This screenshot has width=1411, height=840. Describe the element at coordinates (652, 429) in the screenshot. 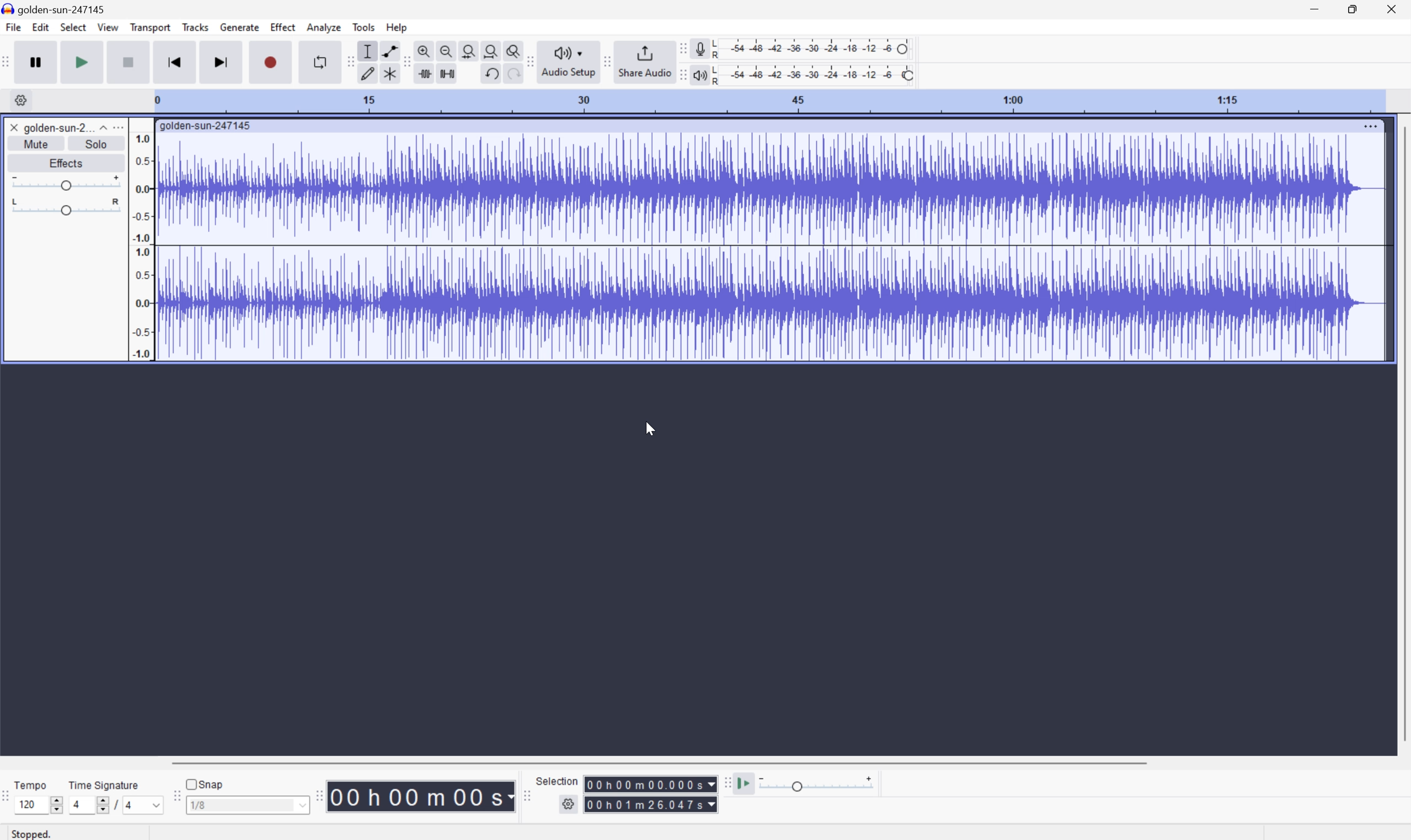

I see `Cursor` at that location.